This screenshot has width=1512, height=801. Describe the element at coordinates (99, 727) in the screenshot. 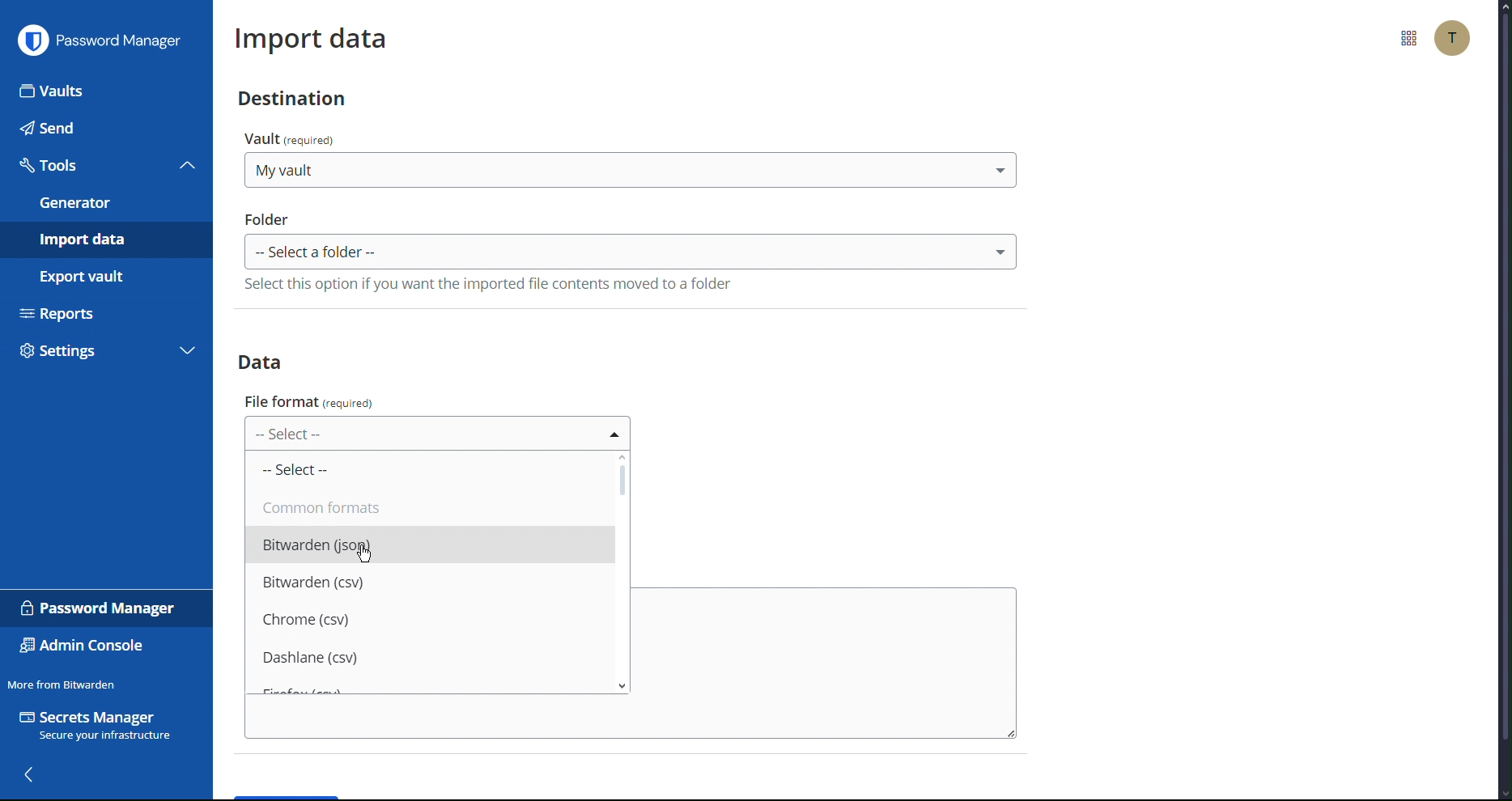

I see `Secrets Manager` at that location.